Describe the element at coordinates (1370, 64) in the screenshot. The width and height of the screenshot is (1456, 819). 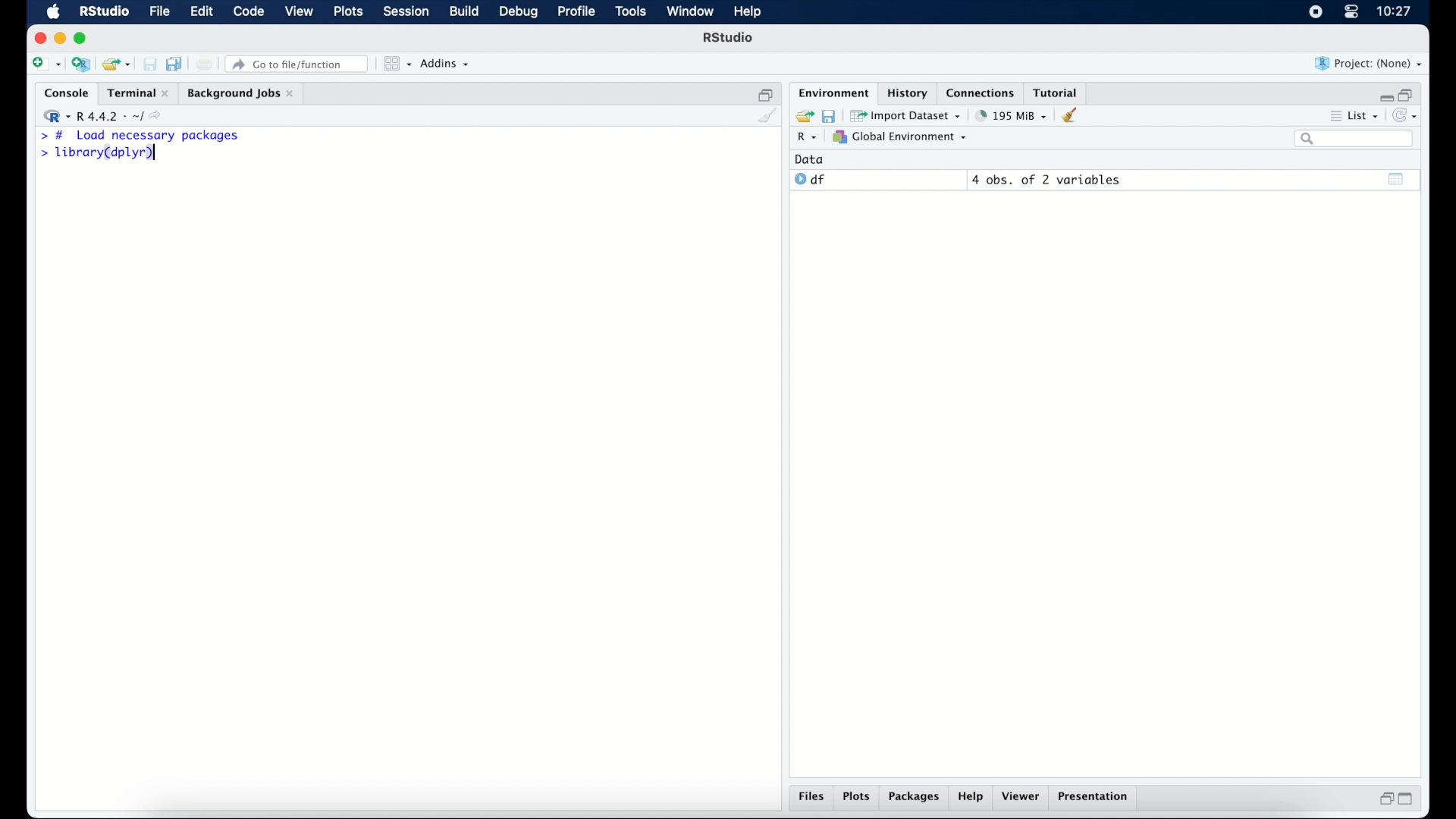
I see `project (none)` at that location.